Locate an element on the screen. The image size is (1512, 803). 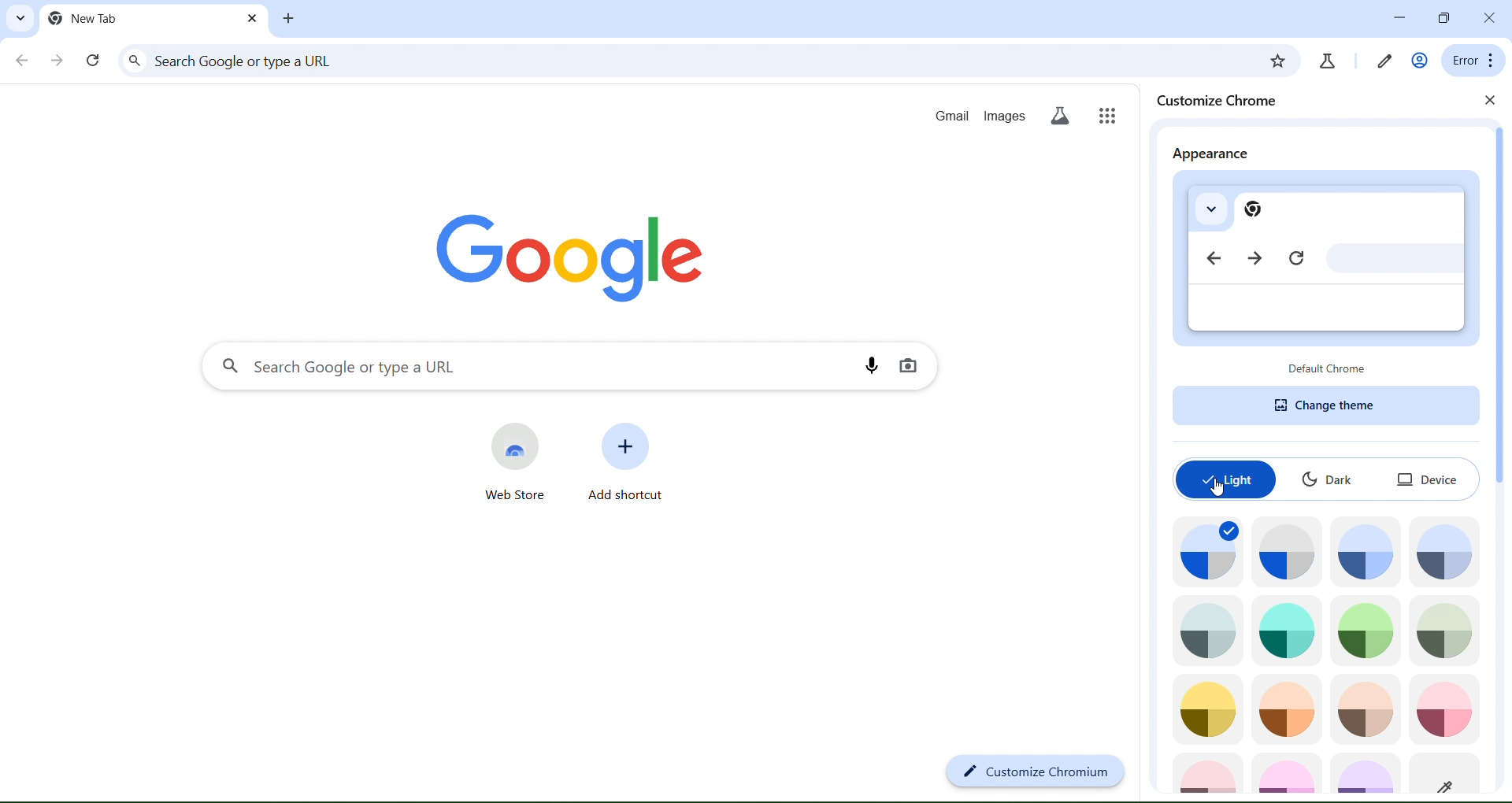
dark is located at coordinates (1332, 477).